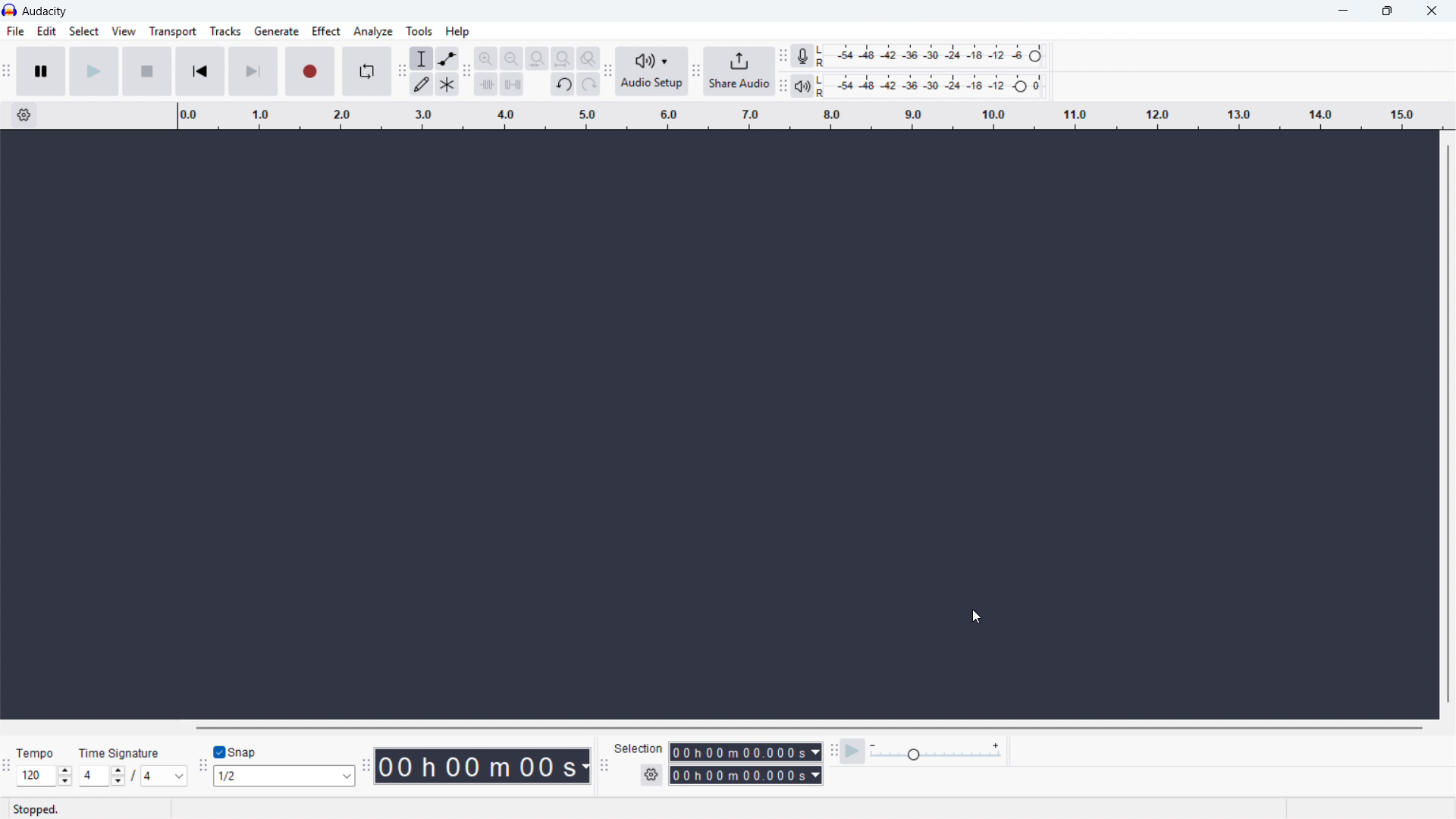  Describe the element at coordinates (422, 58) in the screenshot. I see `selection tool` at that location.